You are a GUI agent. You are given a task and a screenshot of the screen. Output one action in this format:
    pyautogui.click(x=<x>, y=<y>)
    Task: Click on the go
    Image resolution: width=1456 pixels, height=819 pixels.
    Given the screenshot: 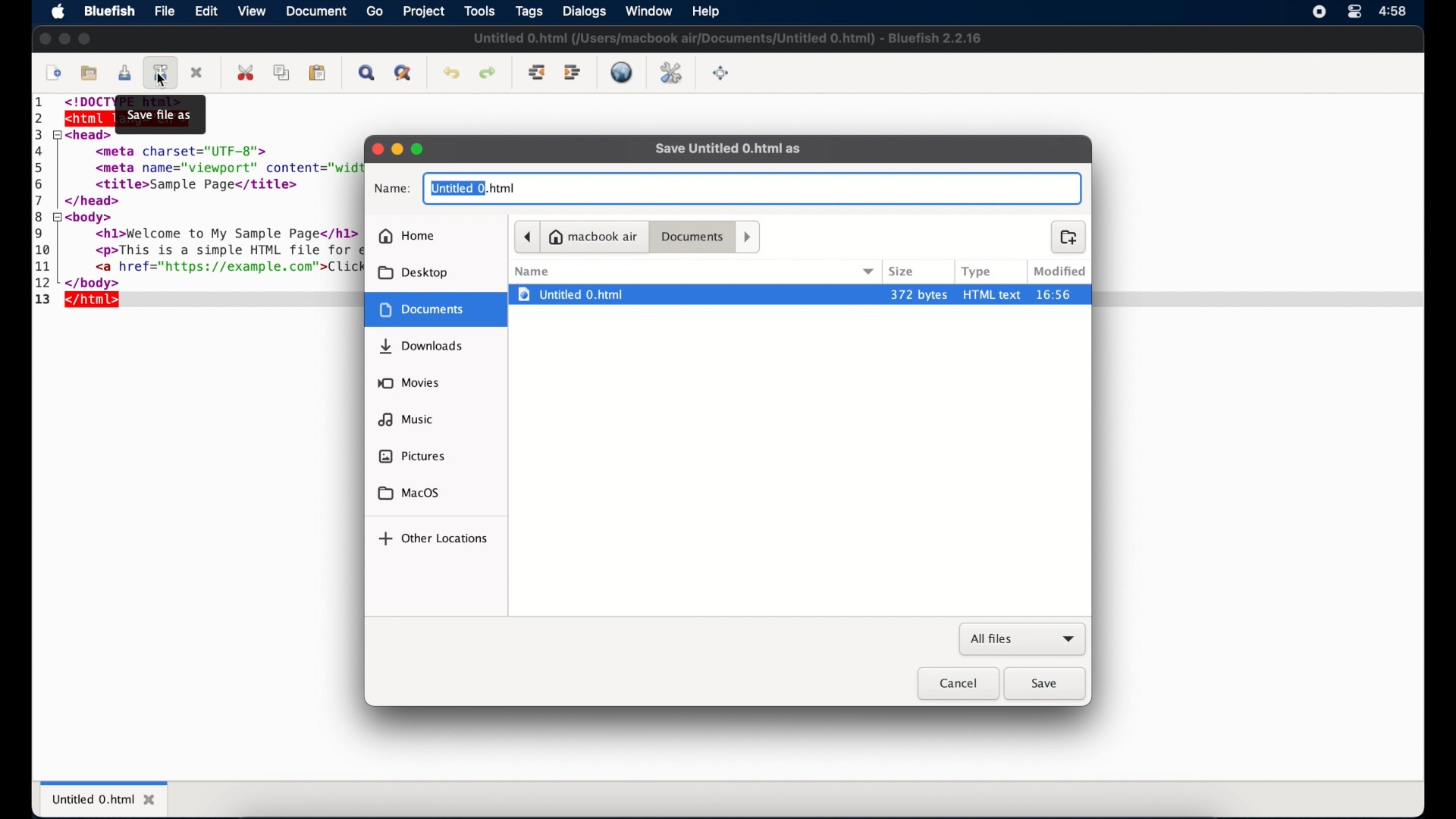 What is the action you would take?
    pyautogui.click(x=375, y=11)
    